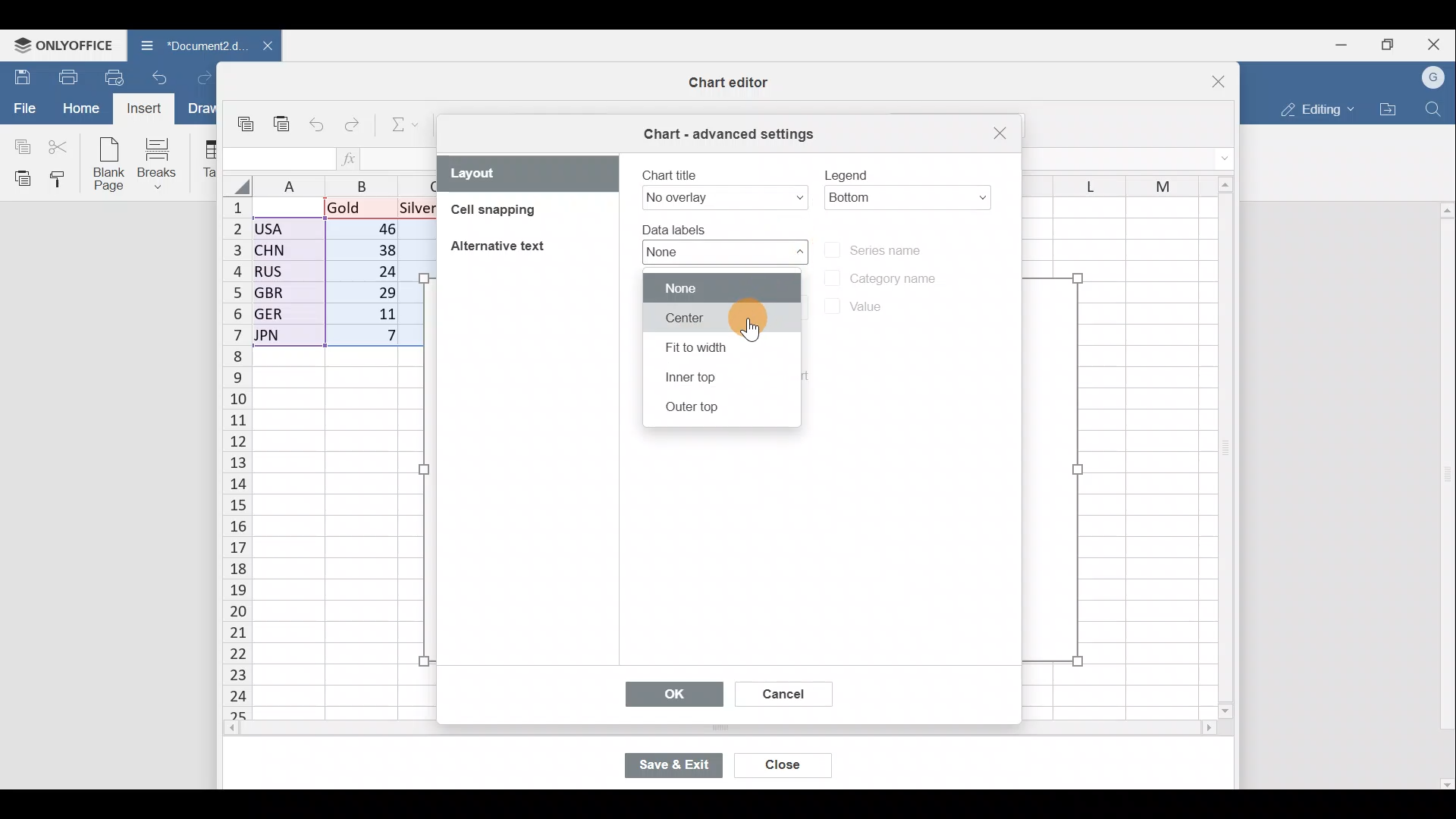  I want to click on Save, so click(19, 77).